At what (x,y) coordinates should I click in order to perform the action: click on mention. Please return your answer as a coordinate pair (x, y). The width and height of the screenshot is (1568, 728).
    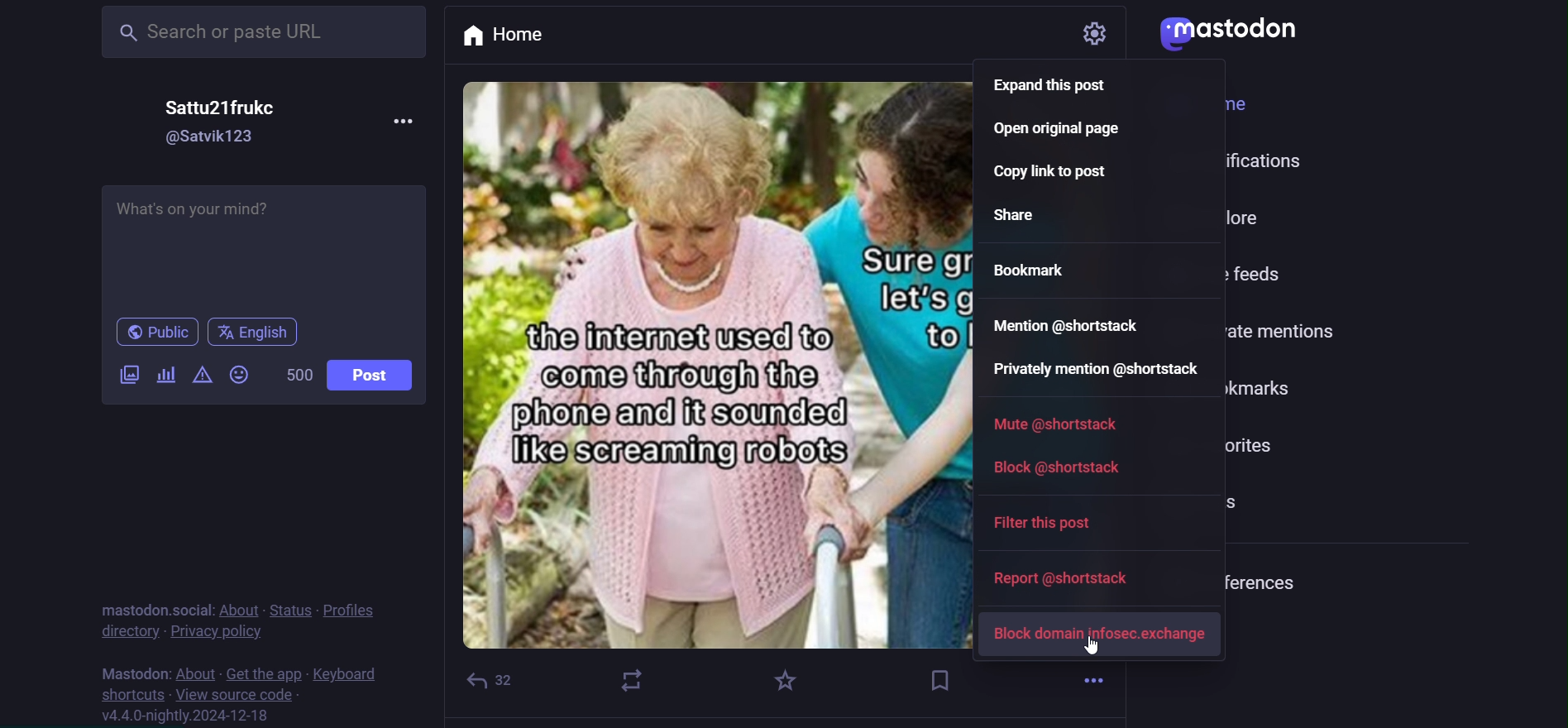
    Looking at the image, I should click on (1068, 323).